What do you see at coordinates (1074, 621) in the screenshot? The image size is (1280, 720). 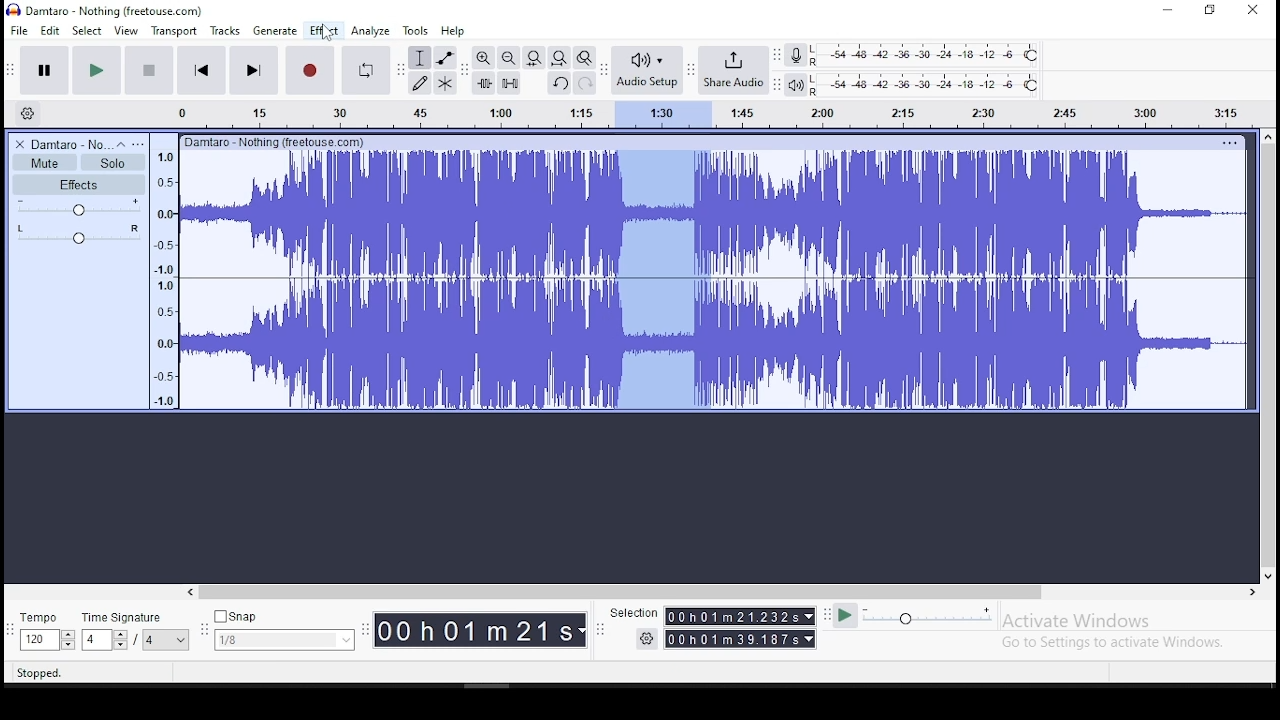 I see `Activate windows` at bounding box center [1074, 621].